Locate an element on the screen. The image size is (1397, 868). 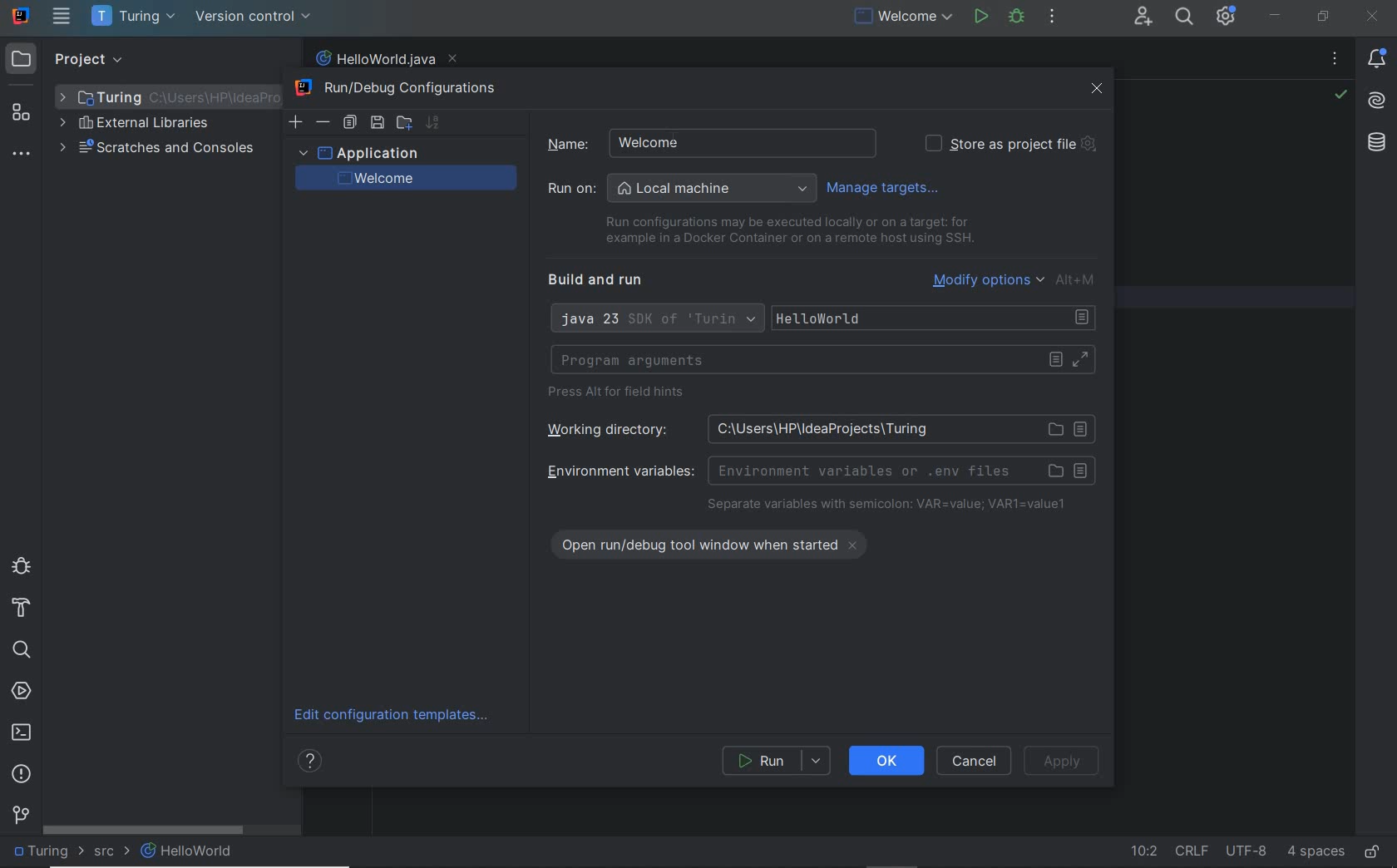
CLOSE is located at coordinates (1098, 89).